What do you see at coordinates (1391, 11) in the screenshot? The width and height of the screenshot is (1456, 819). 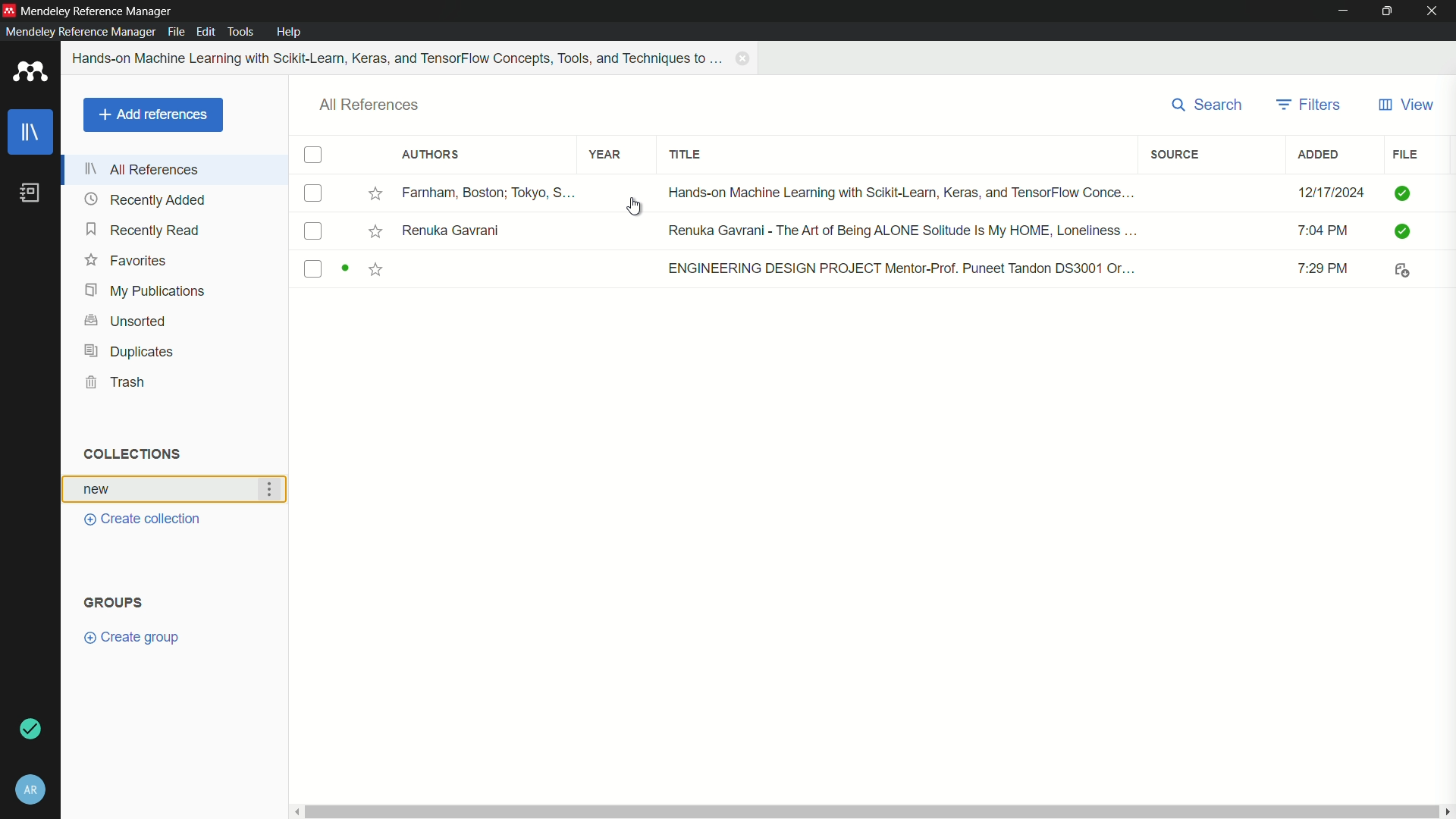 I see `maximize` at bounding box center [1391, 11].